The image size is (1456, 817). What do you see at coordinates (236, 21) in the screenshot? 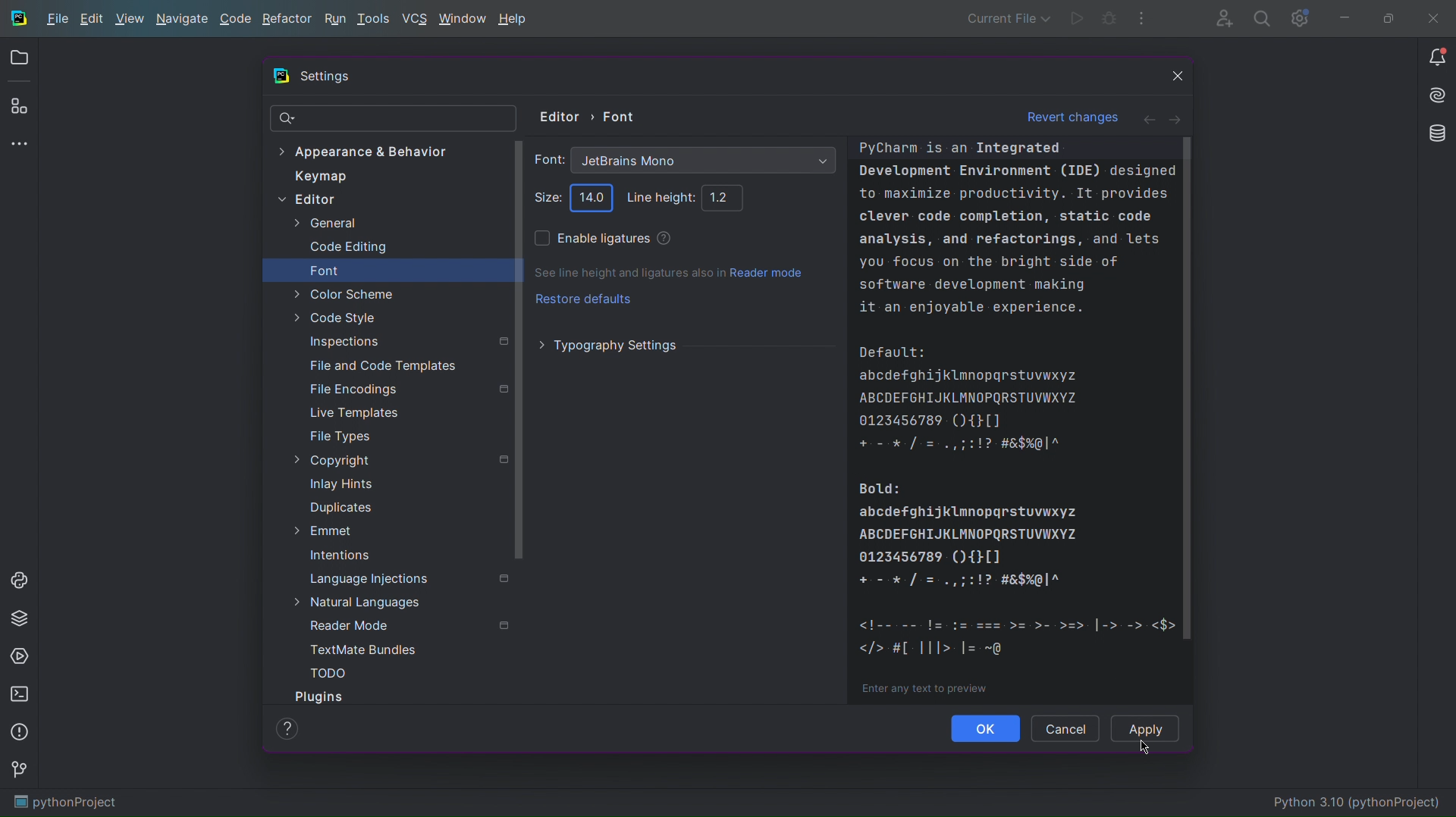
I see `Code` at bounding box center [236, 21].